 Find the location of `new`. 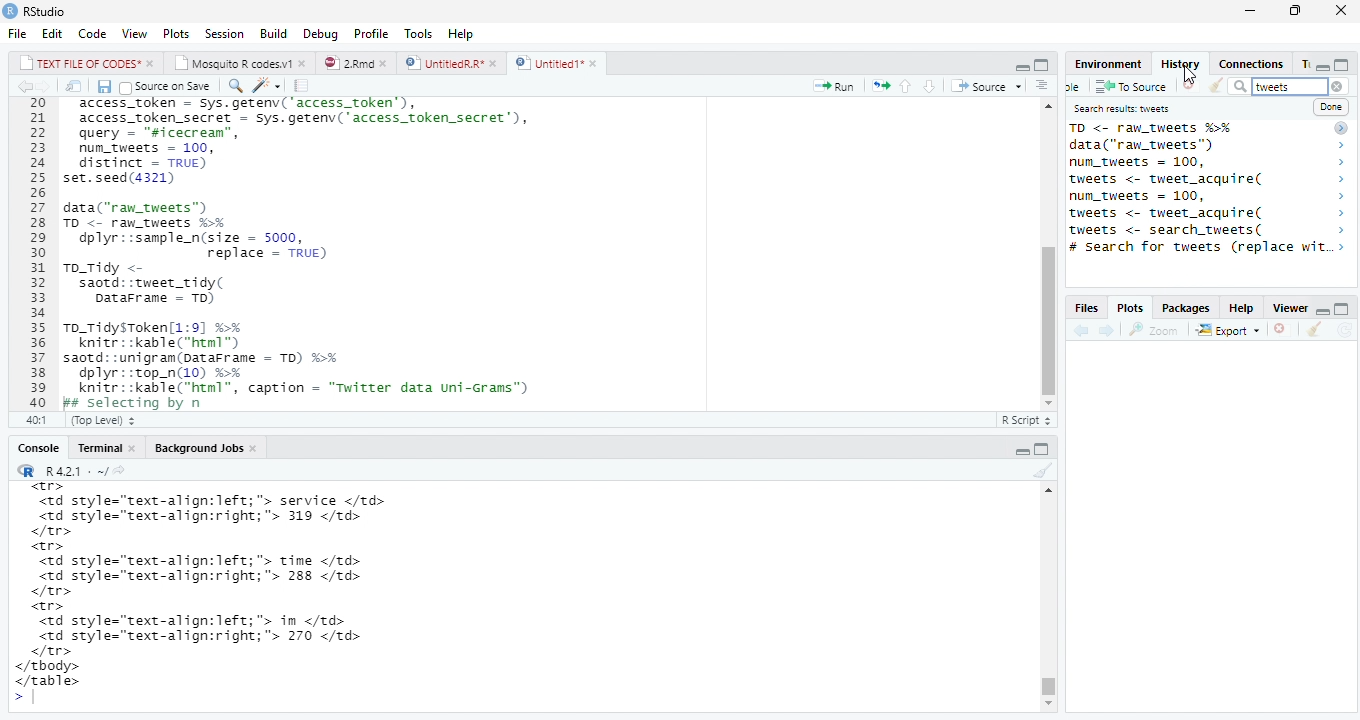

new is located at coordinates (1077, 85).